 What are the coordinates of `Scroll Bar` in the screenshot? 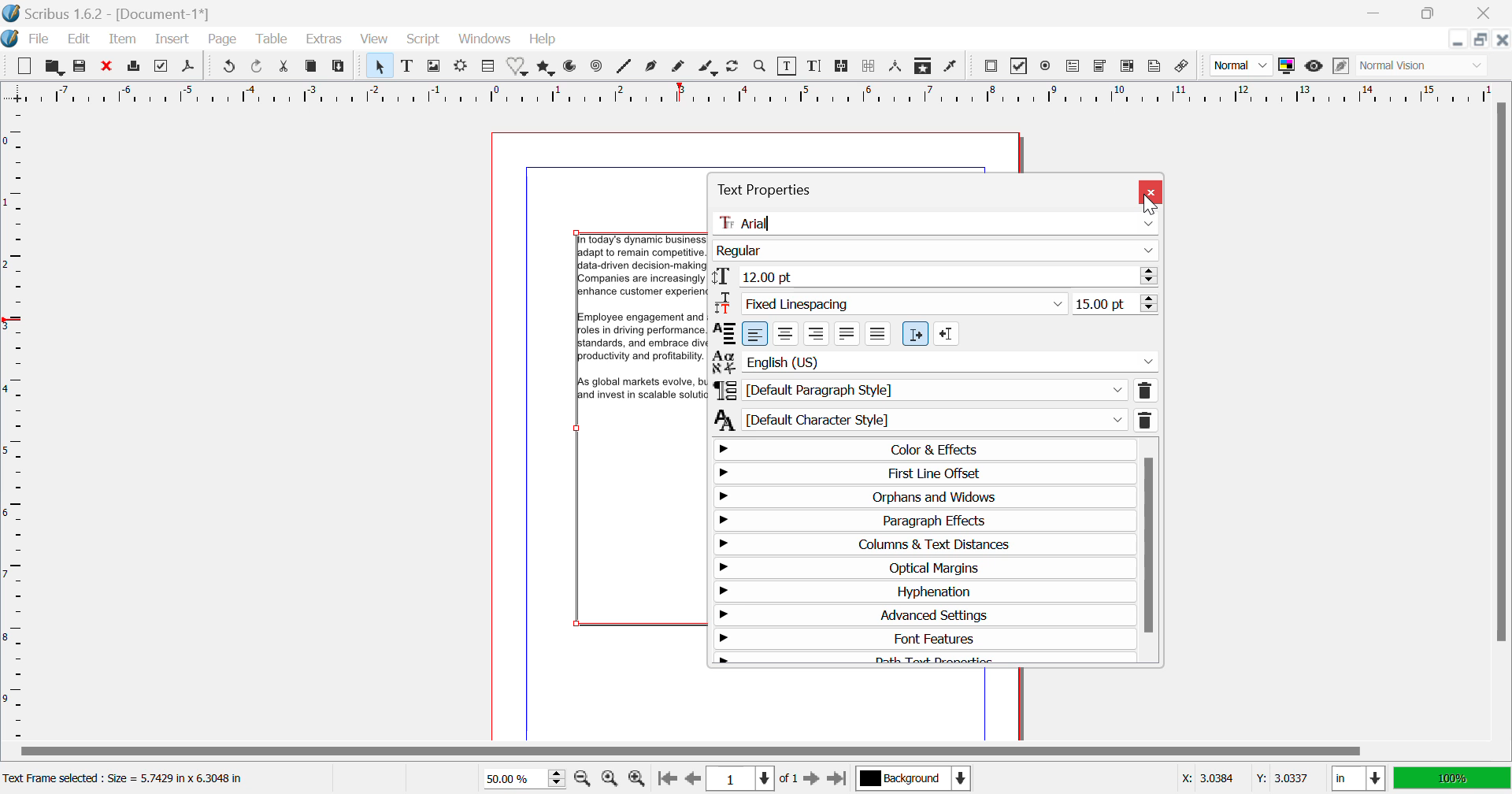 It's located at (1148, 550).